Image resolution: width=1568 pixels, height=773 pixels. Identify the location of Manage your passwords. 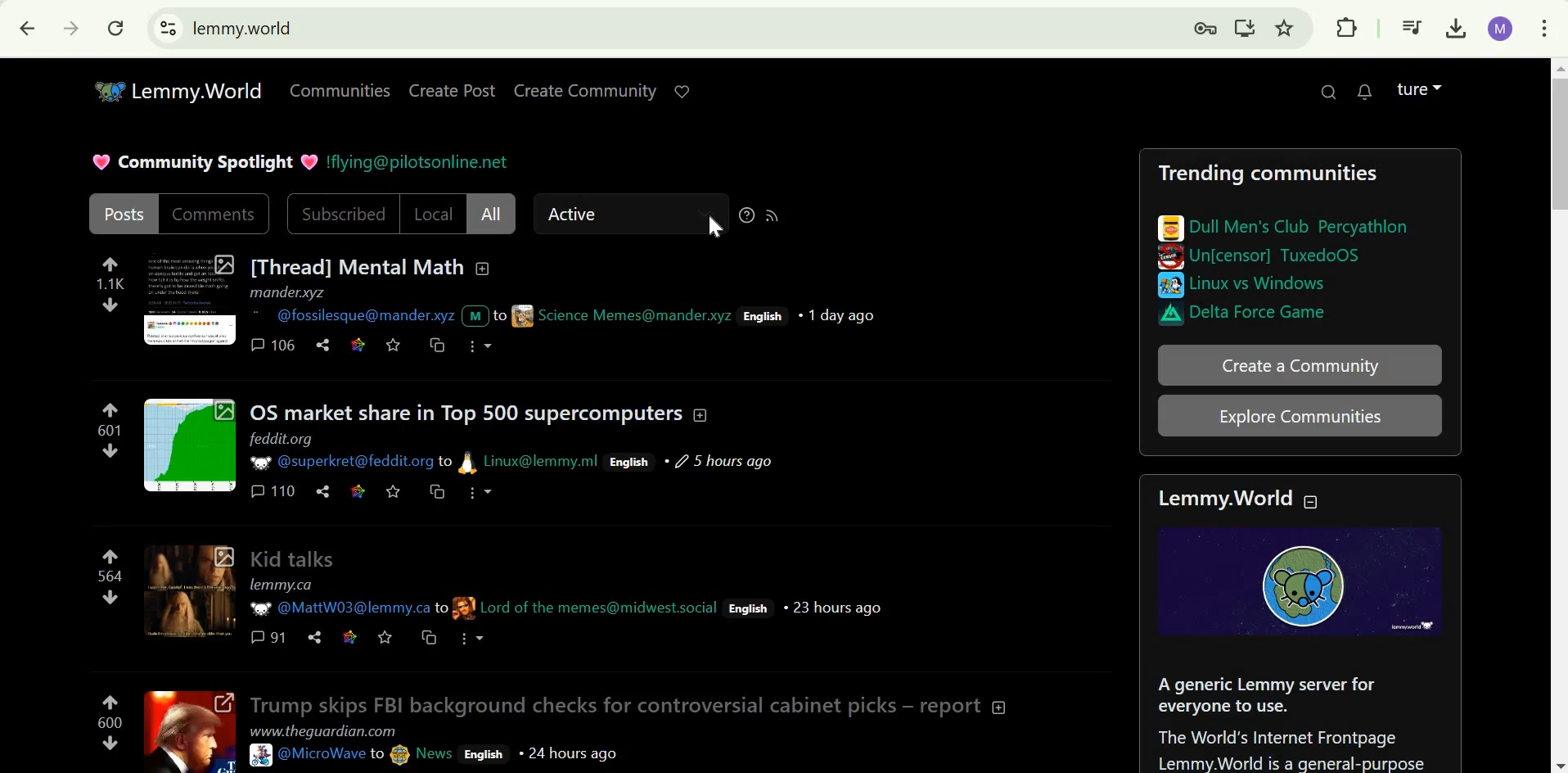
(1207, 29).